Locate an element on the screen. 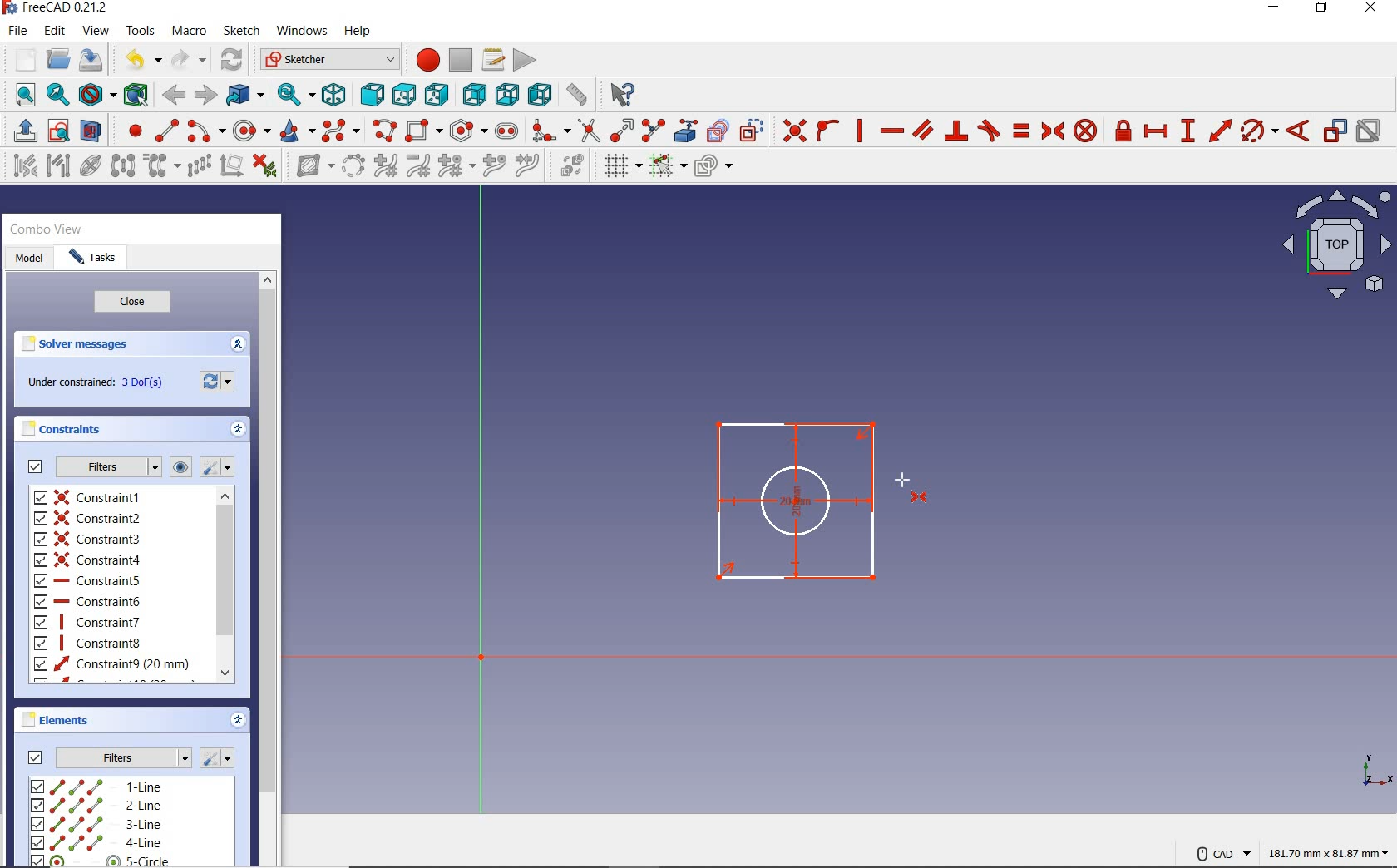 This screenshot has width=1397, height=868. windows is located at coordinates (304, 31).